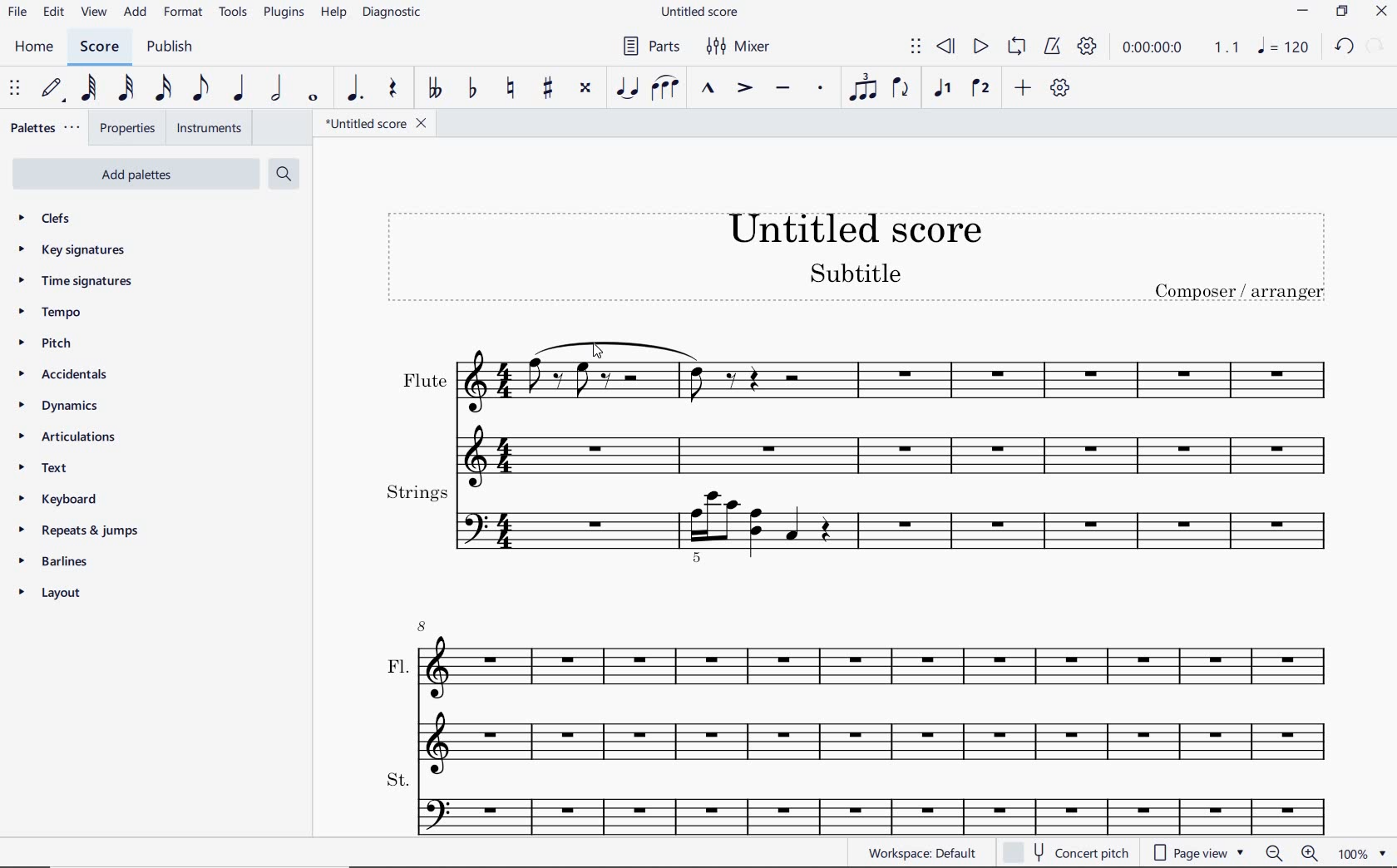 This screenshot has width=1397, height=868. Describe the element at coordinates (243, 88) in the screenshot. I see `QUARTER NOTE` at that location.